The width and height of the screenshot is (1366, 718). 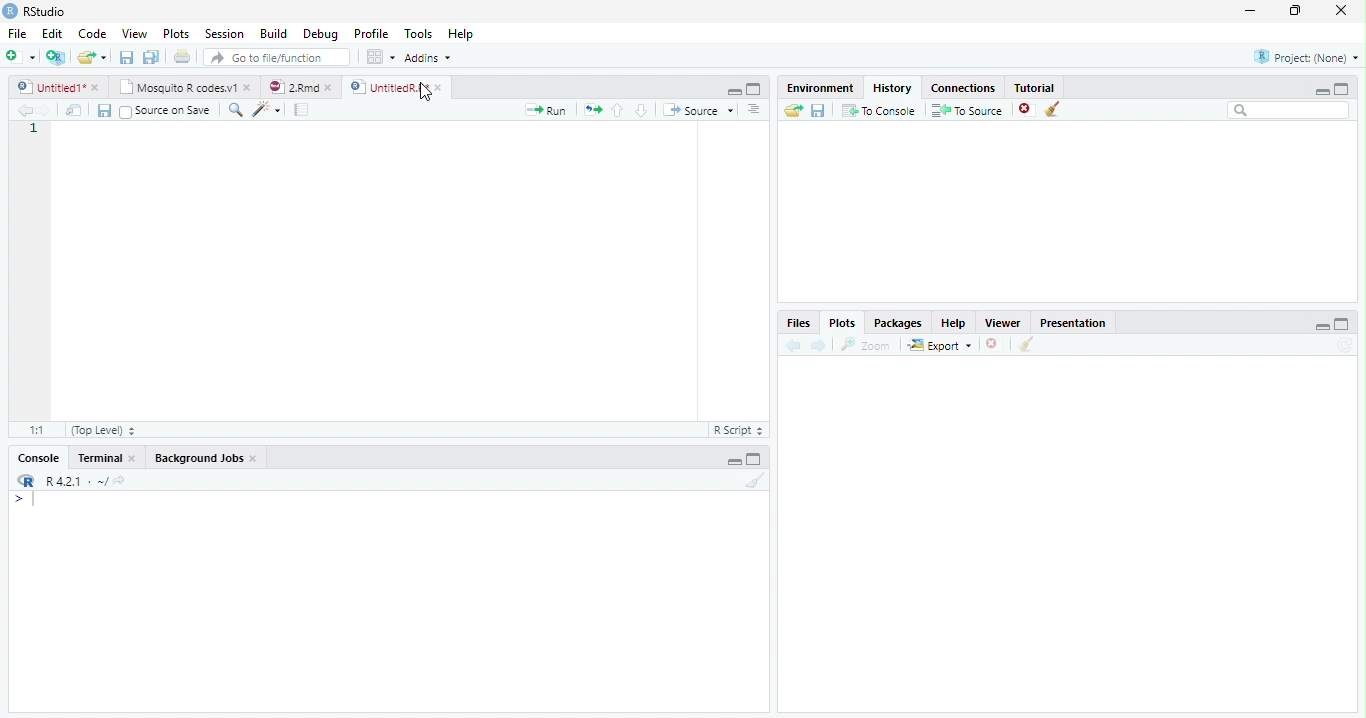 What do you see at coordinates (225, 34) in the screenshot?
I see `Session` at bounding box center [225, 34].